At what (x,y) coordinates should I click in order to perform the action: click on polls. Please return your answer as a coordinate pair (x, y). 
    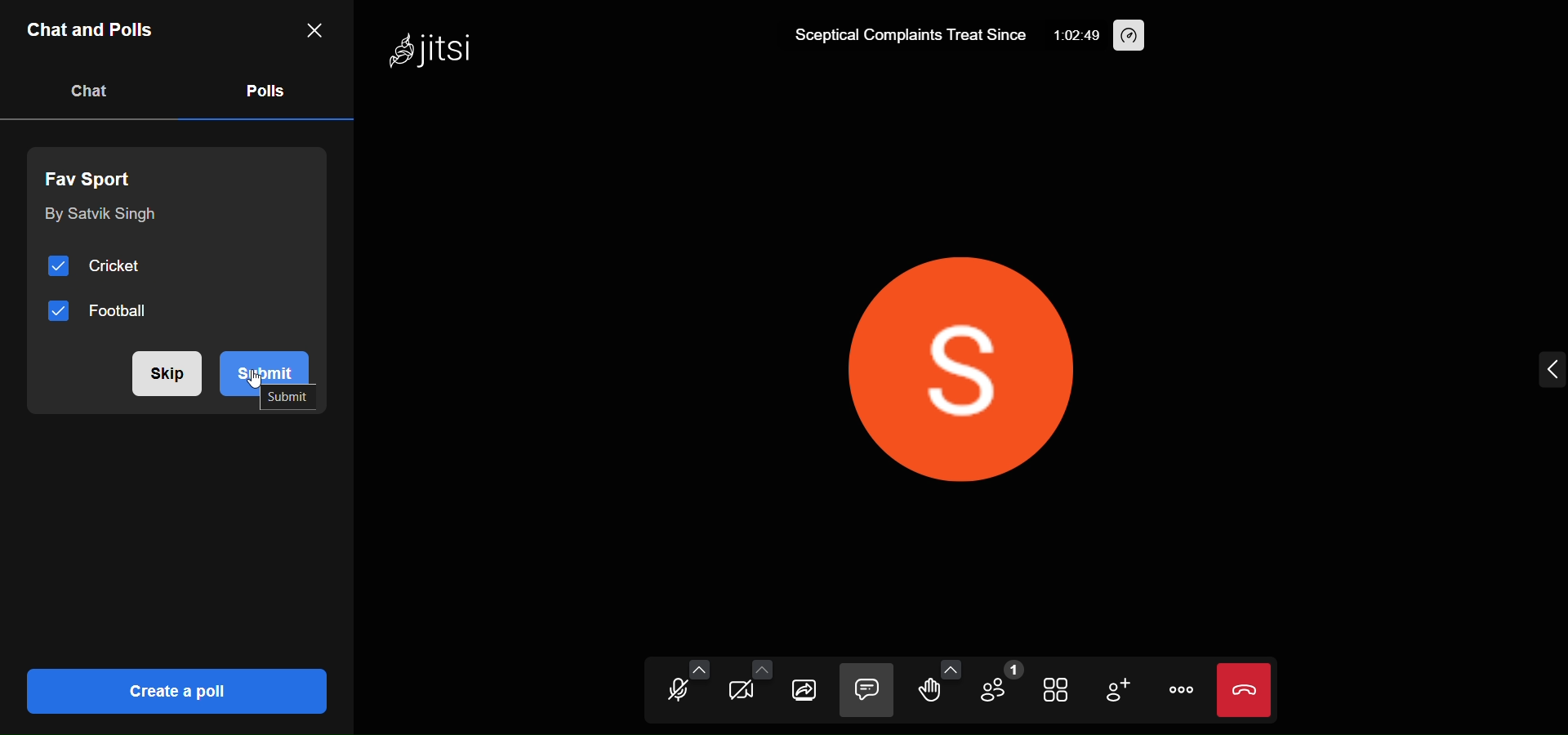
    Looking at the image, I should click on (263, 89).